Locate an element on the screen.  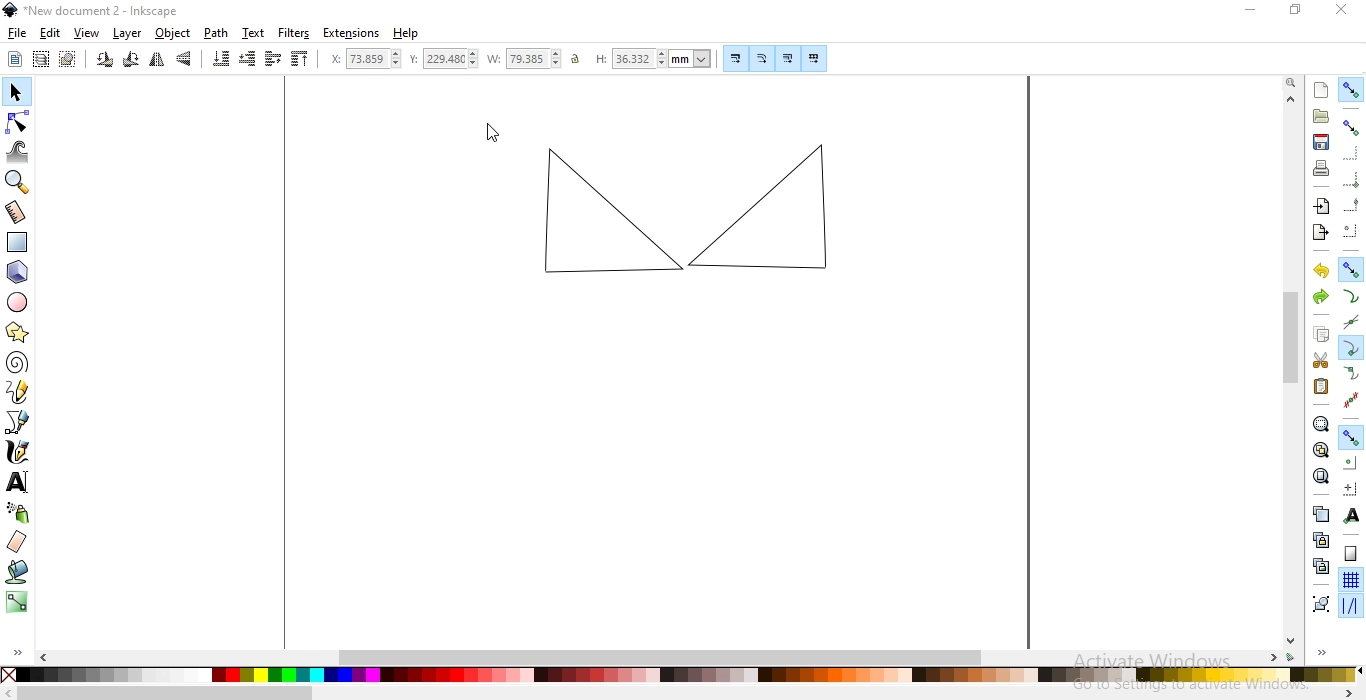
select all objects in all visible and unlocked layers is located at coordinates (42, 58).